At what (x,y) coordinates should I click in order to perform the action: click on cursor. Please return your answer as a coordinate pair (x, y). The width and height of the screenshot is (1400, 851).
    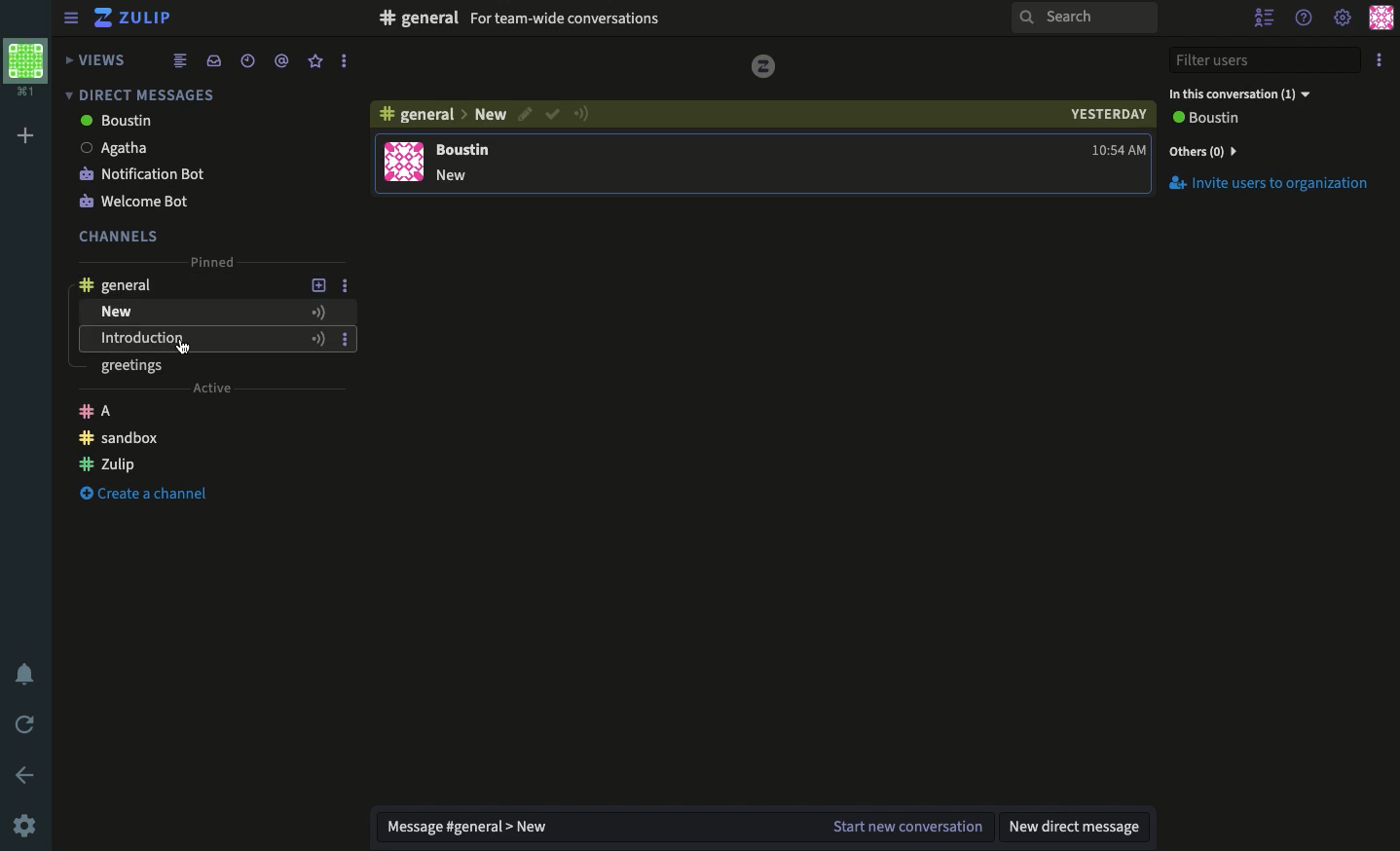
    Looking at the image, I should click on (184, 348).